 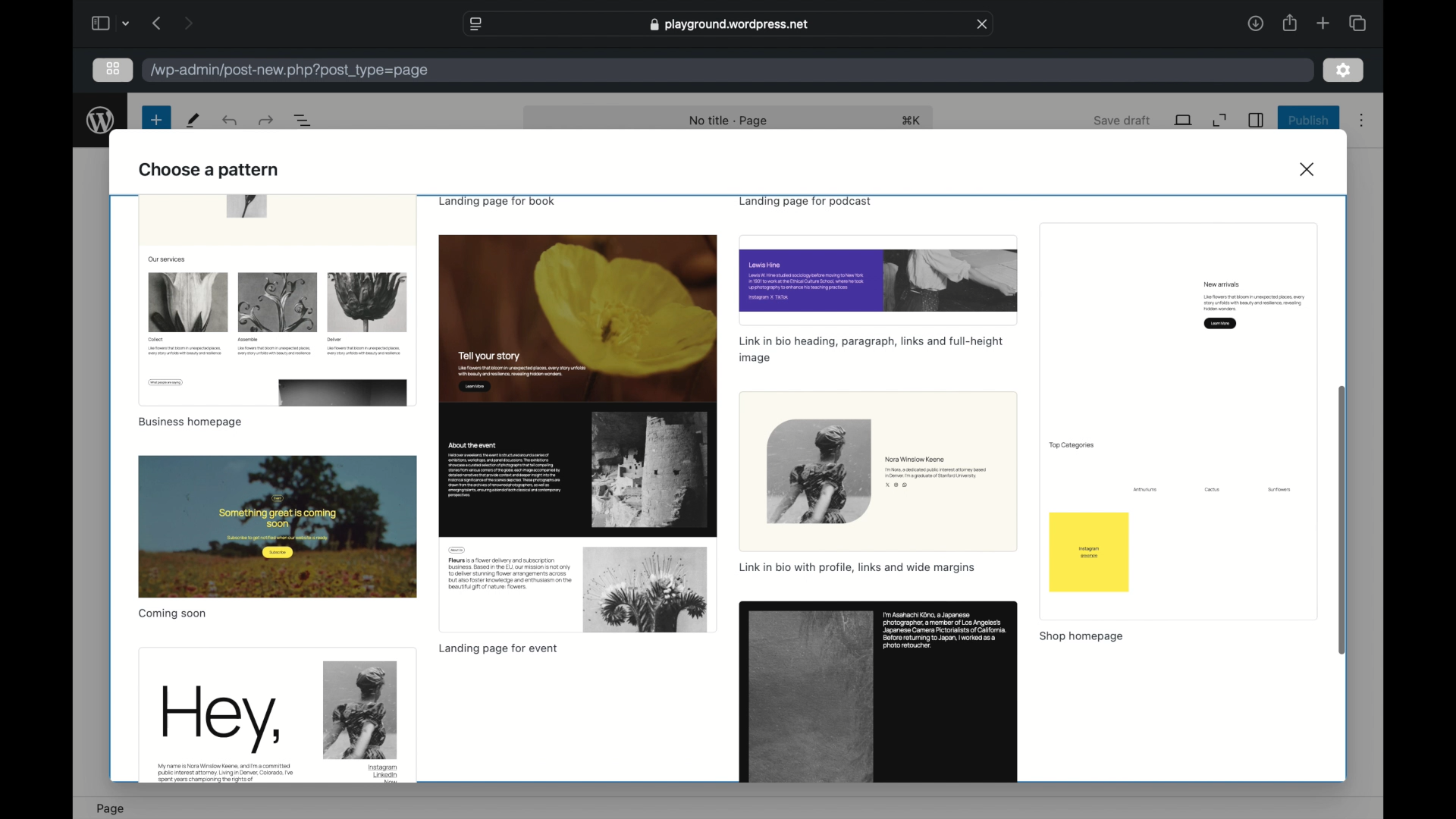 I want to click on show tab overview, so click(x=1357, y=22).